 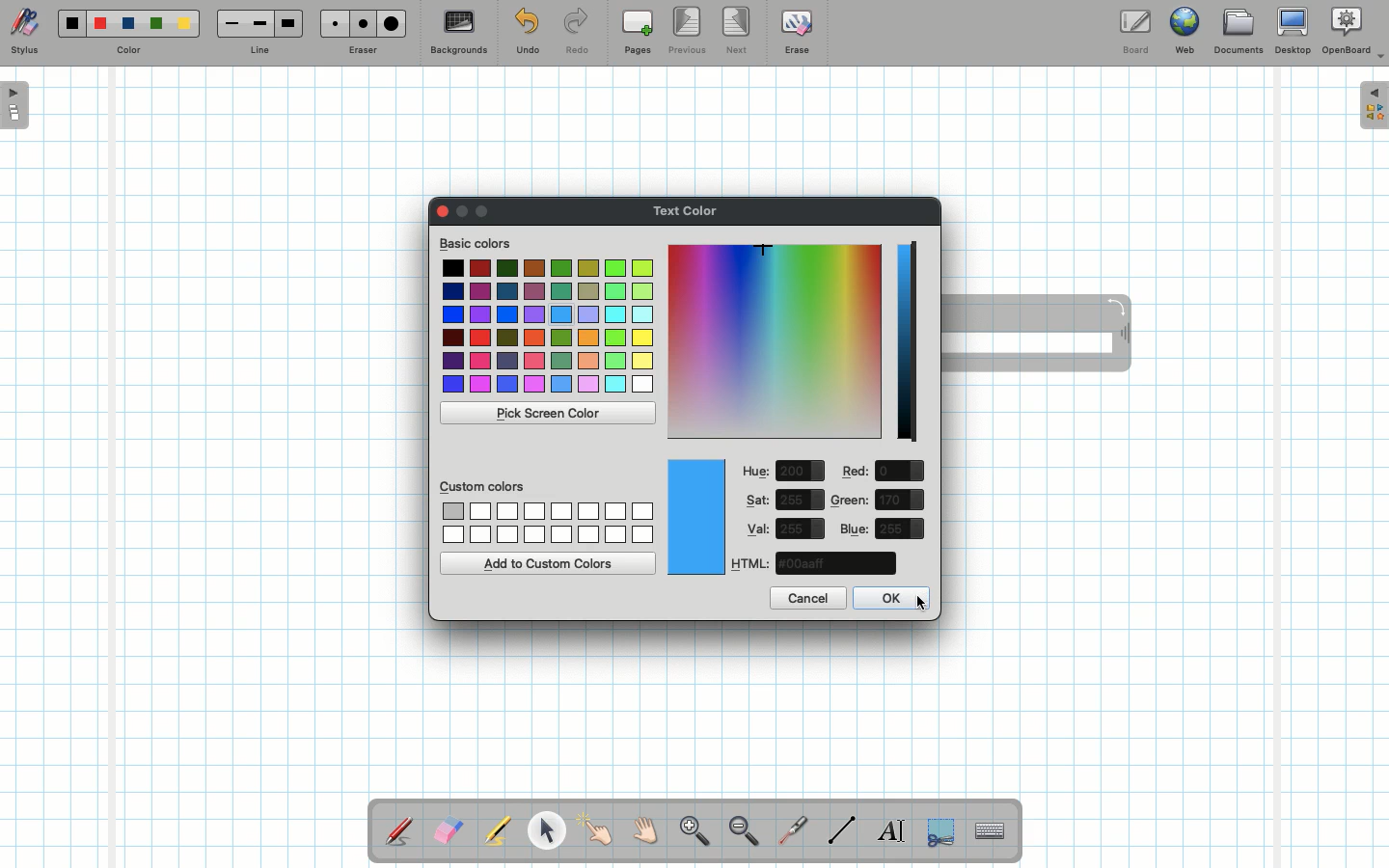 I want to click on value, so click(x=801, y=500).